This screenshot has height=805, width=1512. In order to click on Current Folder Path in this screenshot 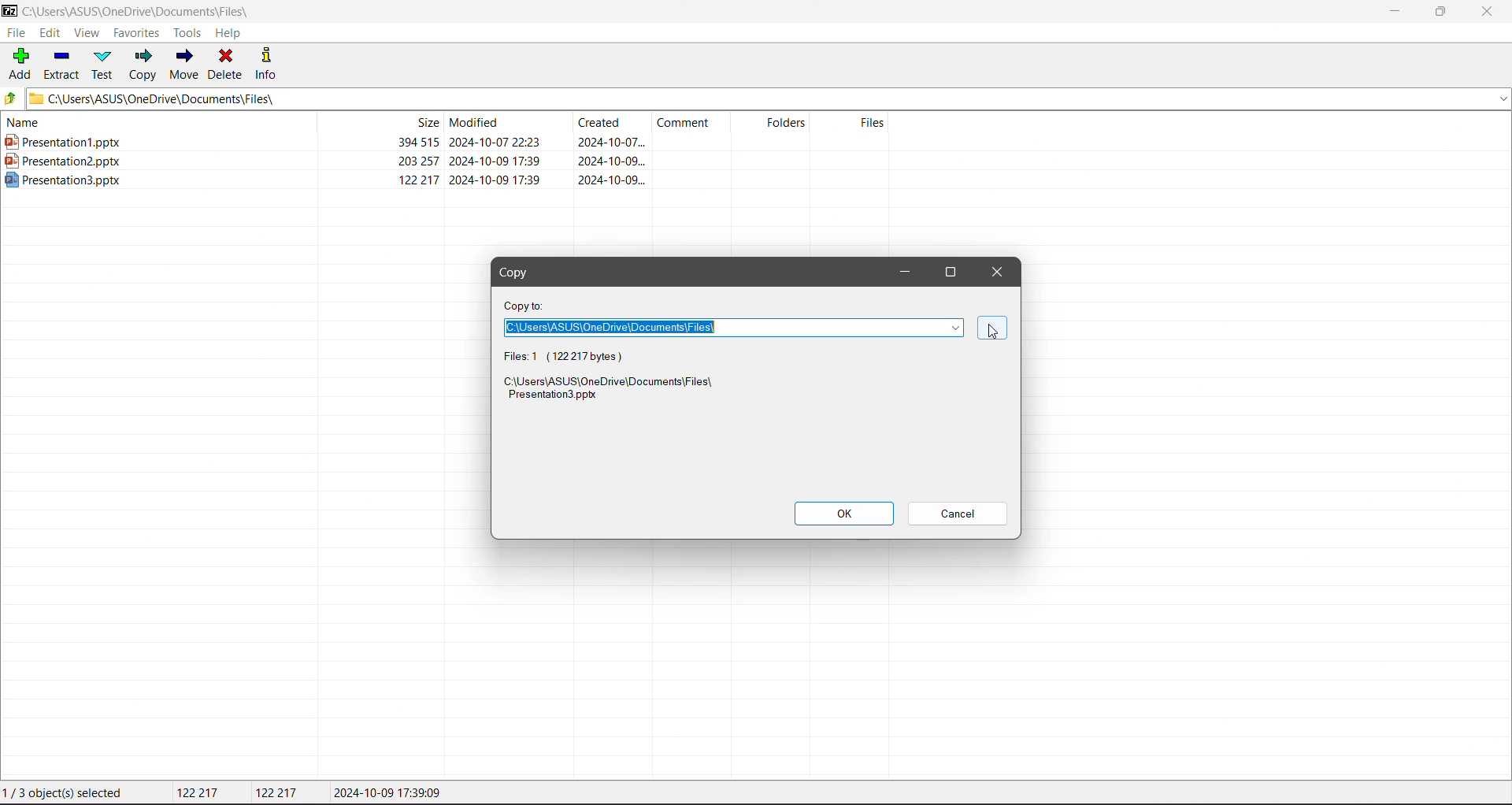, I will do `click(147, 9)`.